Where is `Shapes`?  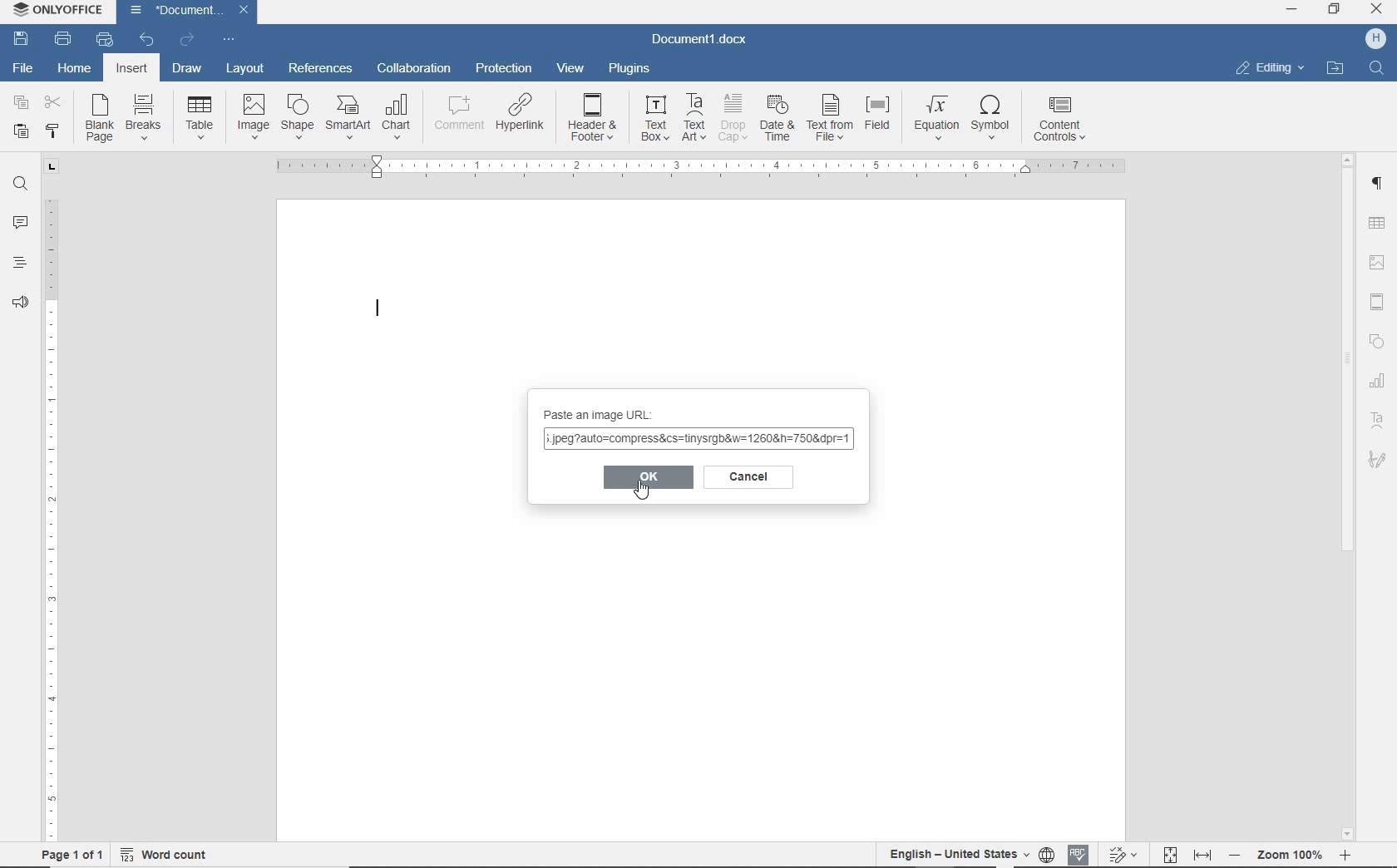 Shapes is located at coordinates (1380, 337).